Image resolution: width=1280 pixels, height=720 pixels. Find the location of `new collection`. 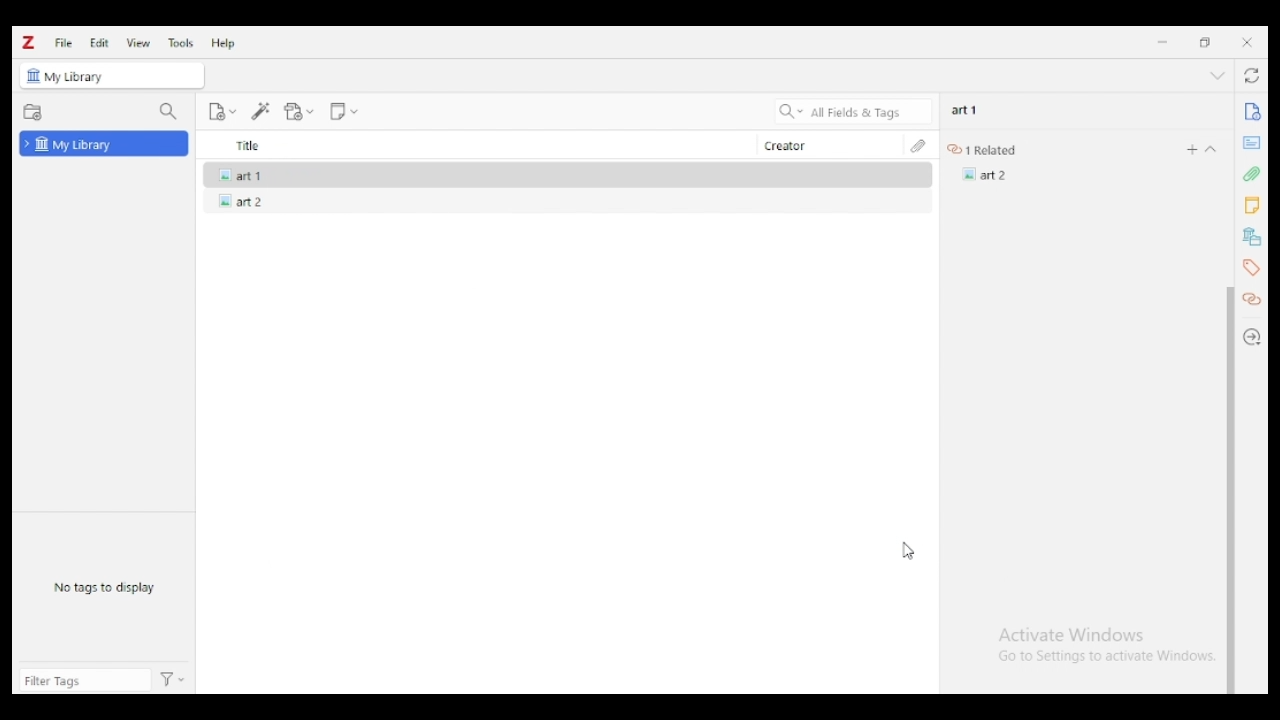

new collection is located at coordinates (33, 113).